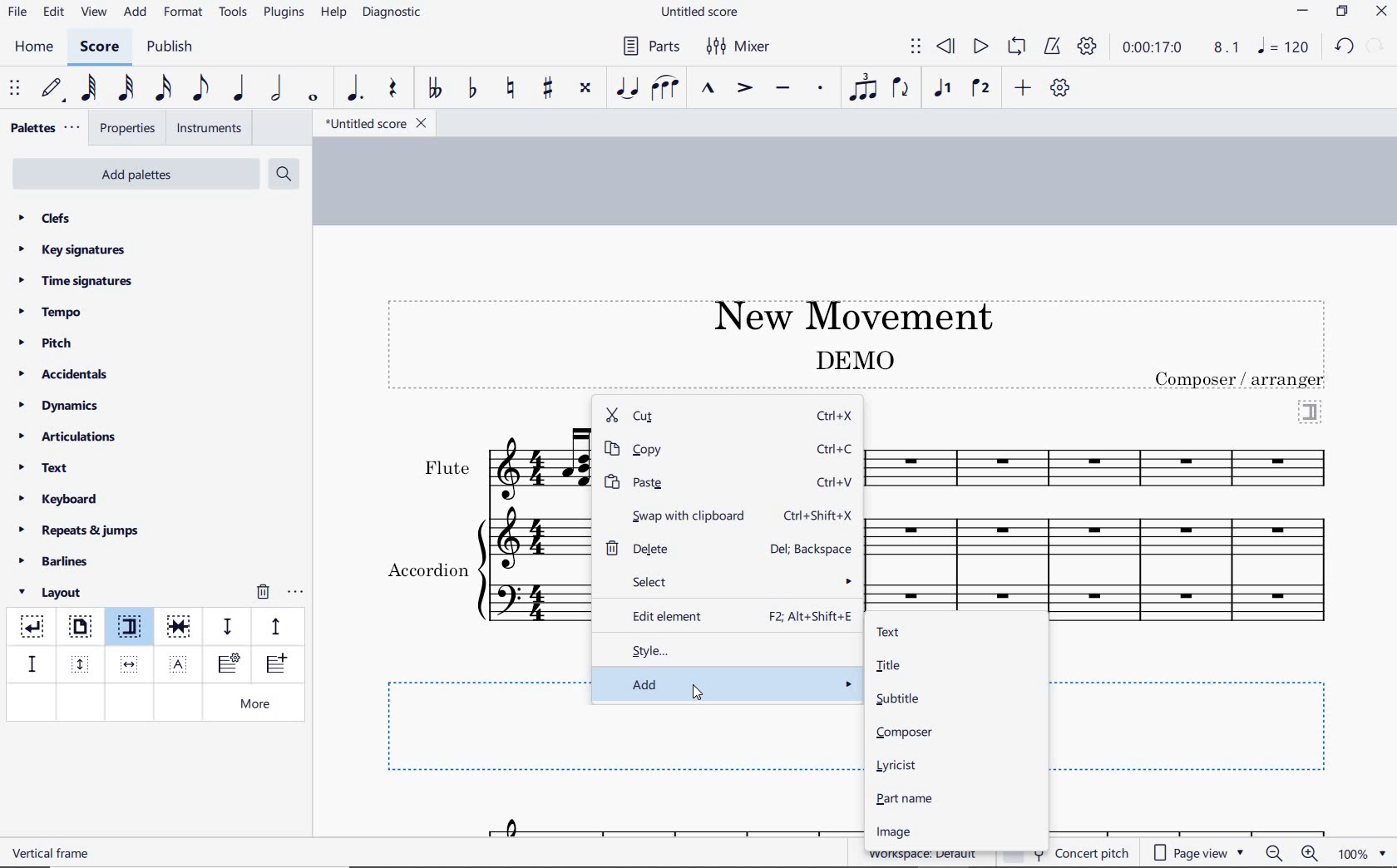 This screenshot has height=868, width=1397. I want to click on insert one measure before selection, so click(274, 666).